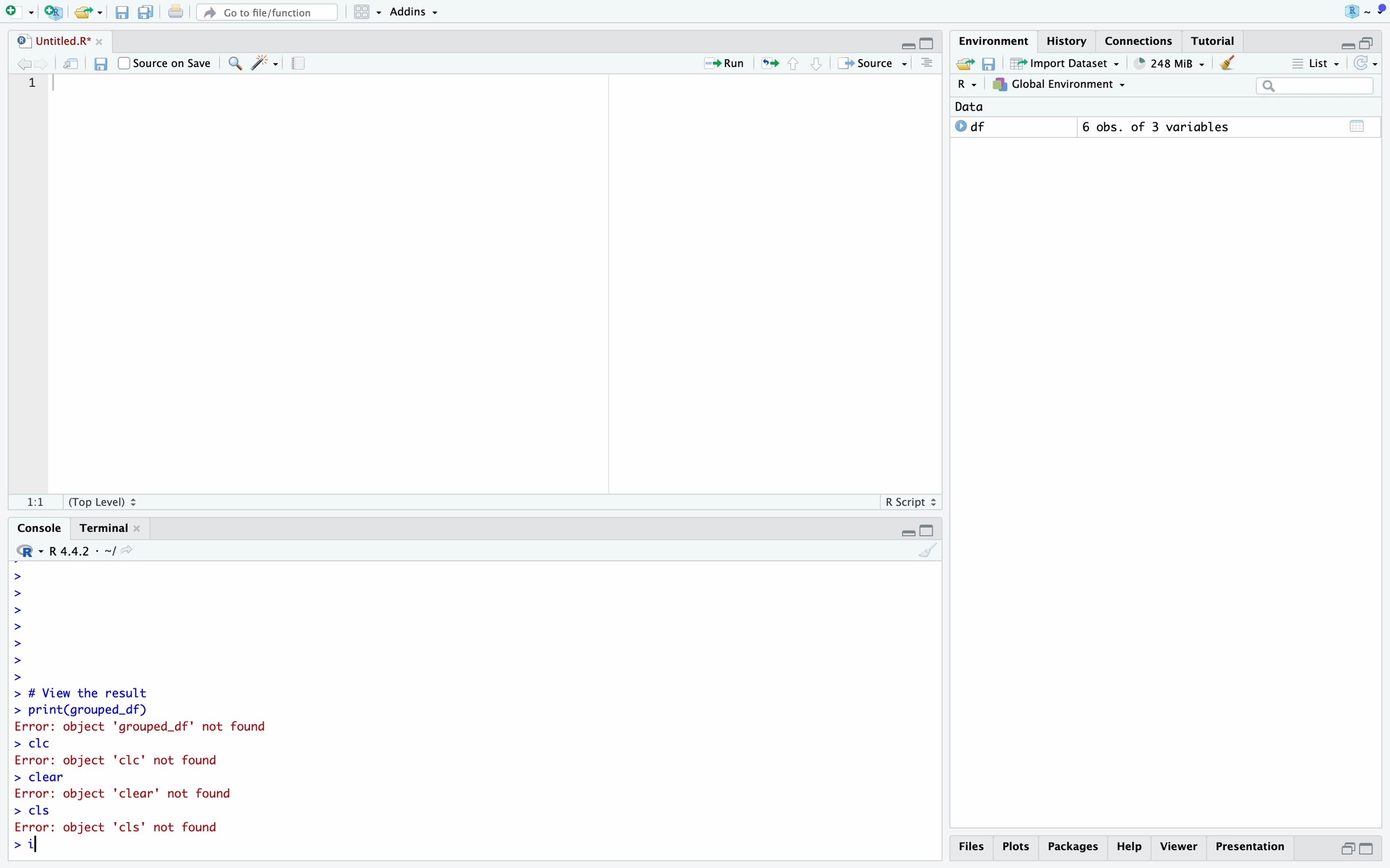 This screenshot has height=868, width=1390. I want to click on 1:1, so click(34, 502).